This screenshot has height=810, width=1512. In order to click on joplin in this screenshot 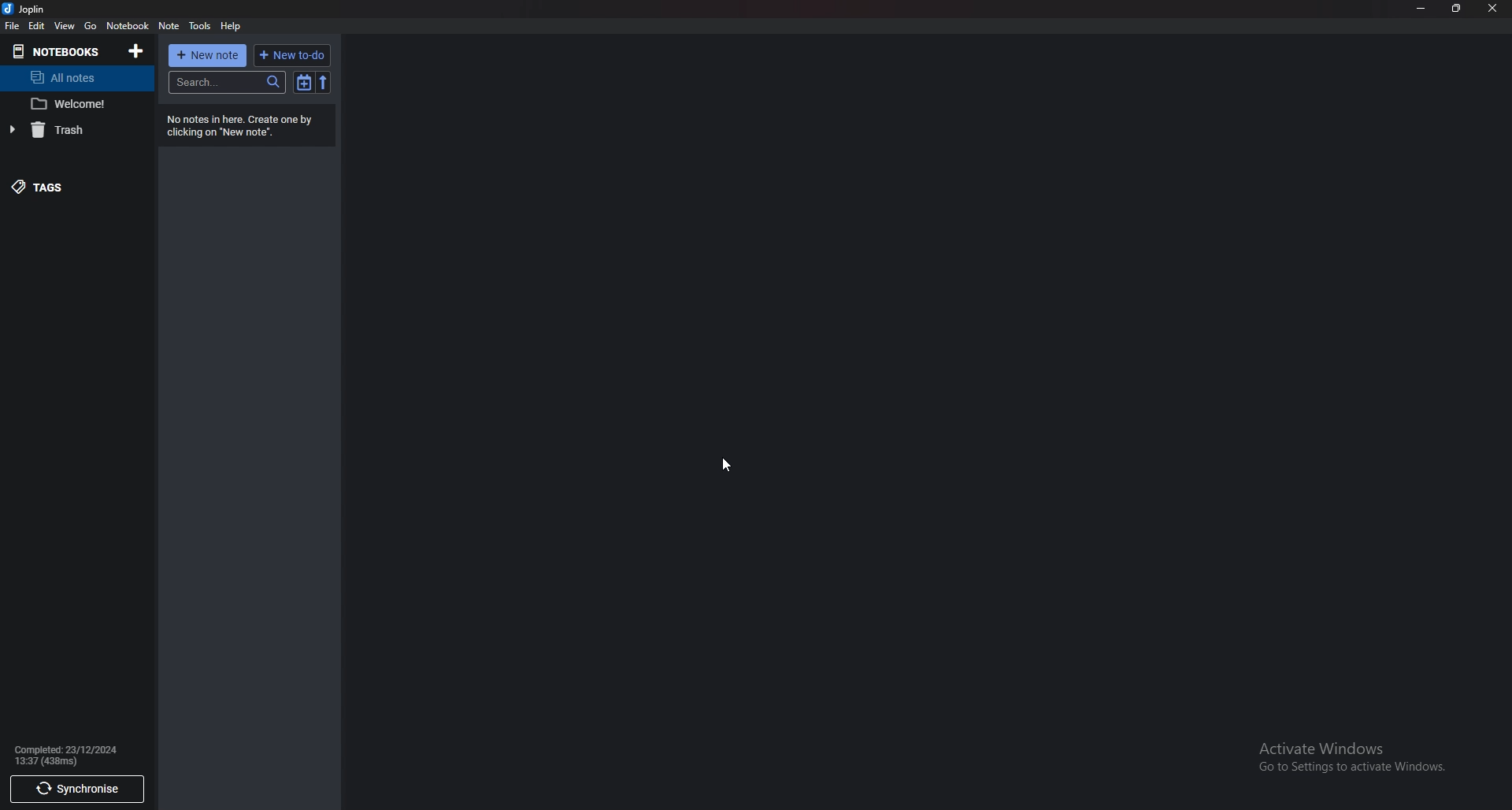, I will do `click(28, 8)`.